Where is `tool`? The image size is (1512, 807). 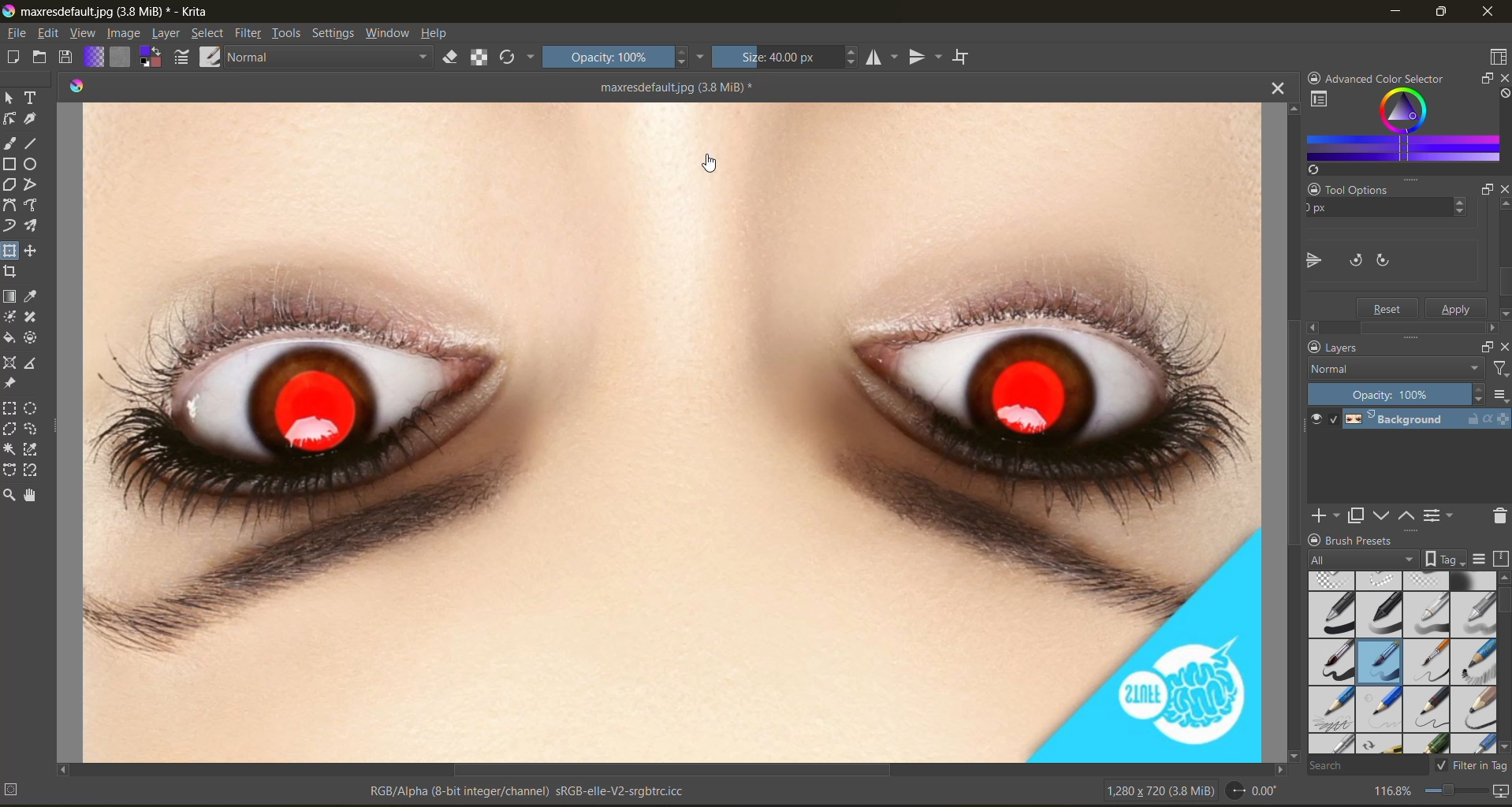 tool is located at coordinates (35, 250).